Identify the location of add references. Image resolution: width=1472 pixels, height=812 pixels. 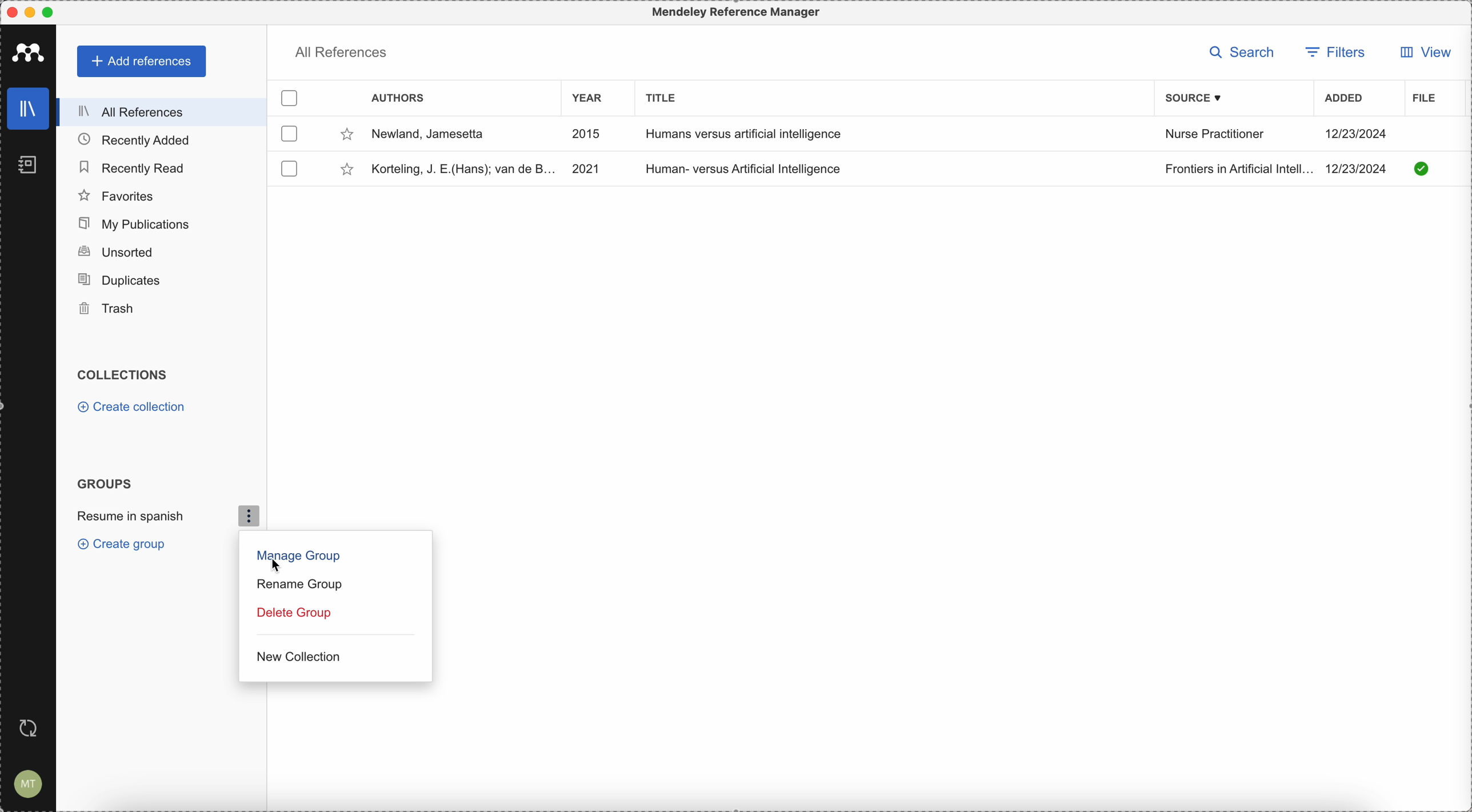
(142, 62).